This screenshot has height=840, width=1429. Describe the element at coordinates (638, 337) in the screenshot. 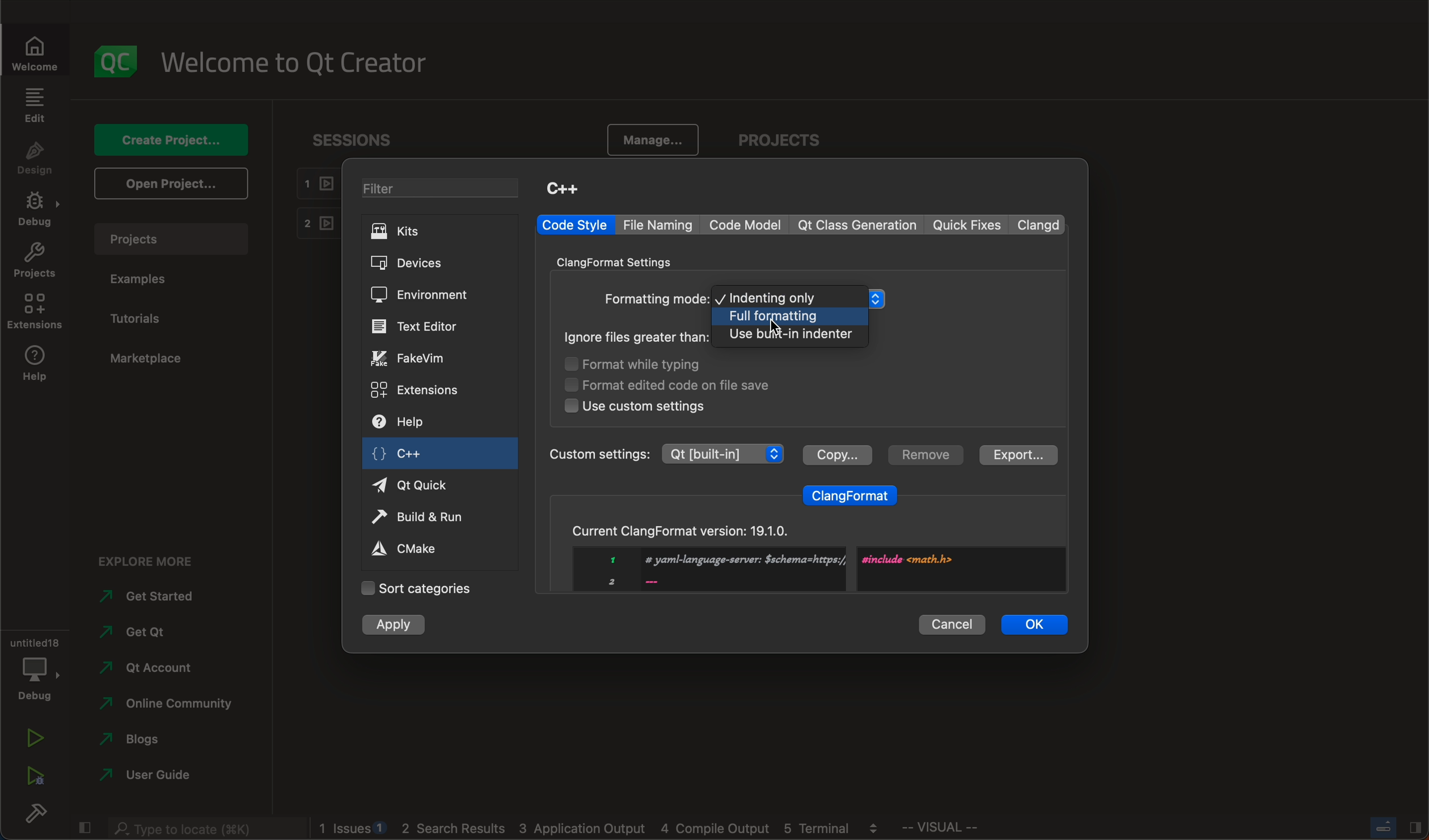

I see `ignore files` at that location.